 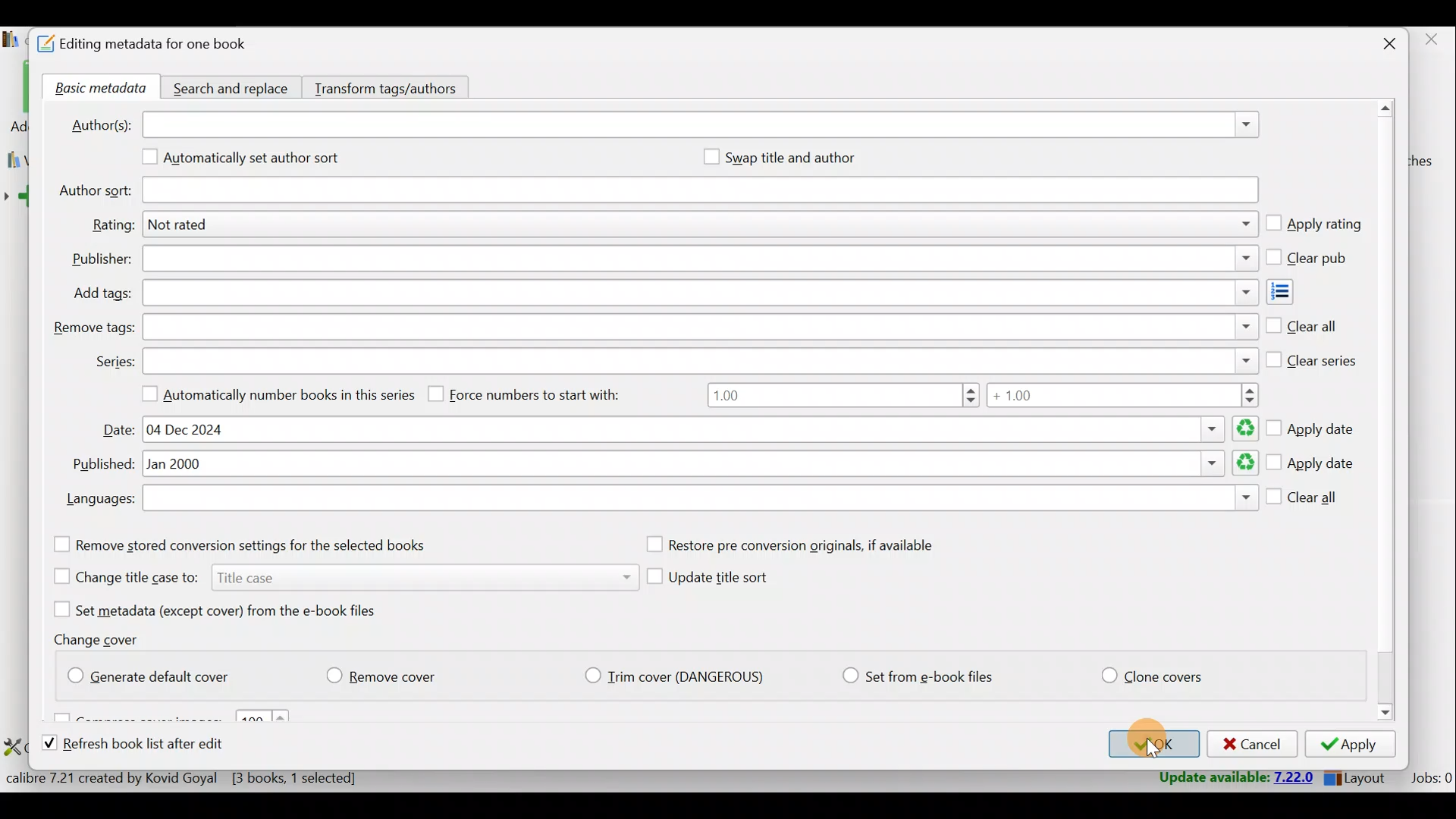 I want to click on Apply date, so click(x=1311, y=464).